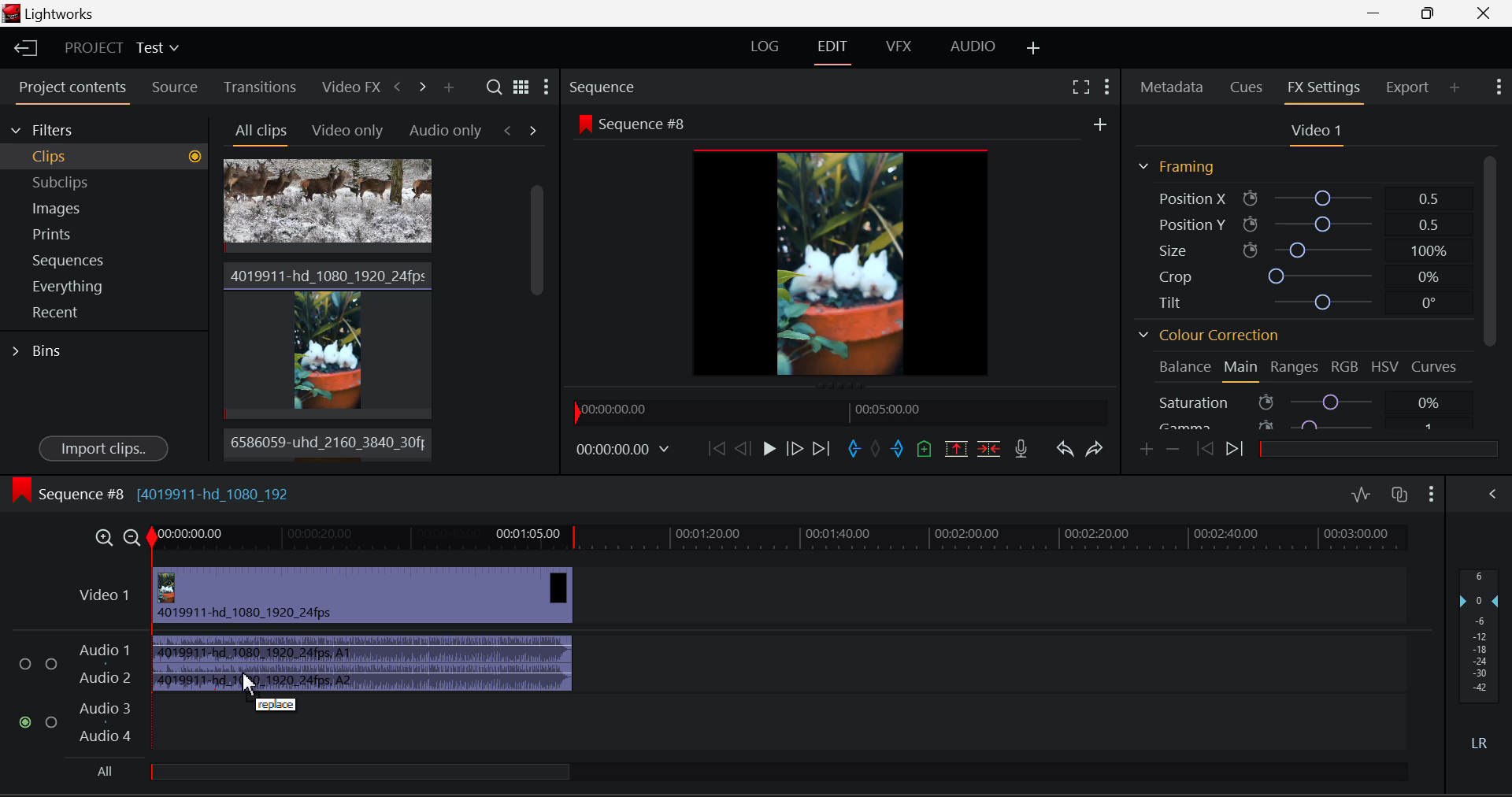 The height and width of the screenshot is (797, 1512). Describe the element at coordinates (348, 85) in the screenshot. I see `Video FX` at that location.